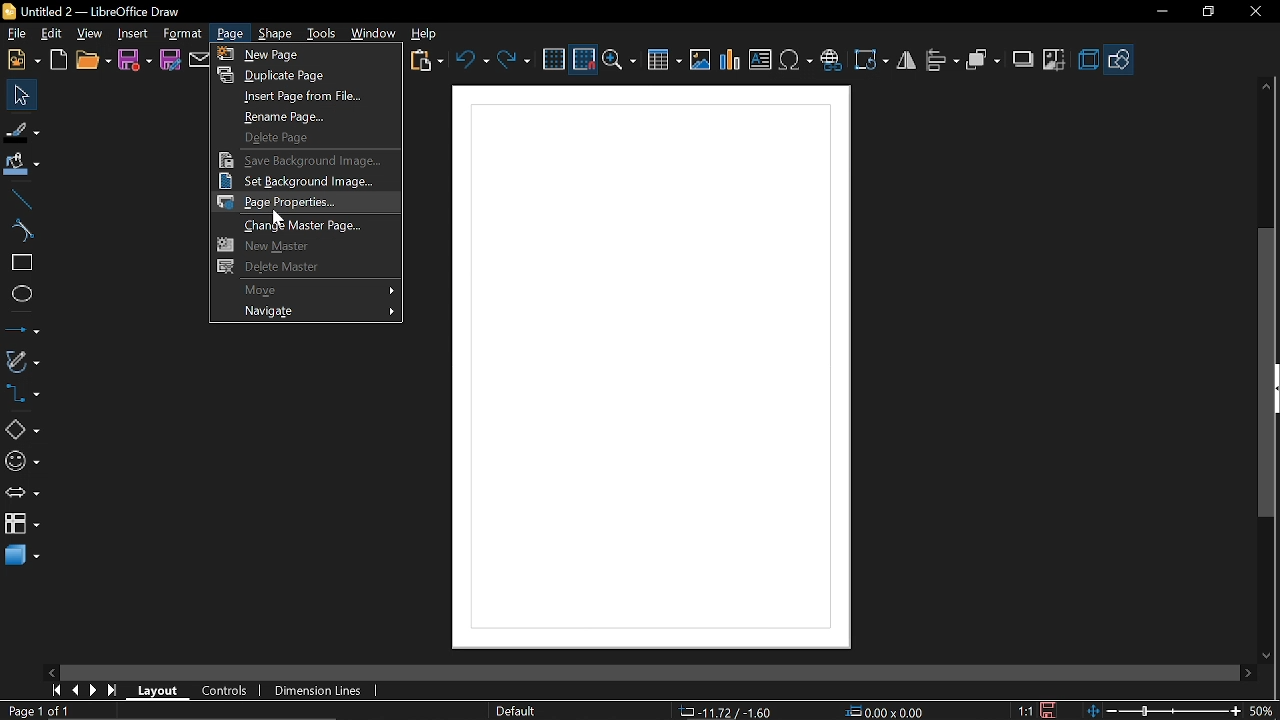 The width and height of the screenshot is (1280, 720). Describe the element at coordinates (1165, 710) in the screenshot. I see `Zoom changes` at that location.